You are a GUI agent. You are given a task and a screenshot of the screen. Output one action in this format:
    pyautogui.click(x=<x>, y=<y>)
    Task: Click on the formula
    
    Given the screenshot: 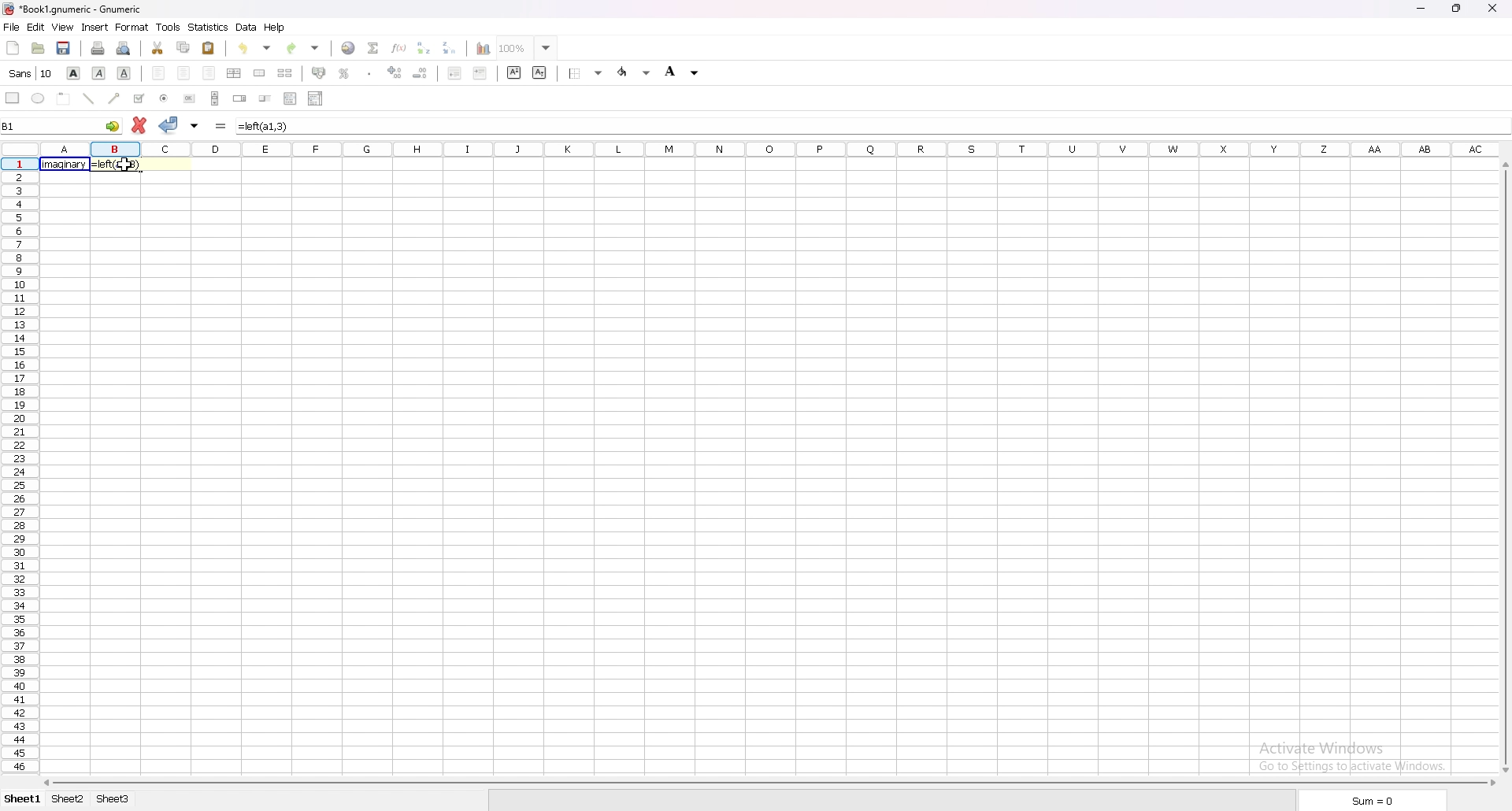 What is the action you would take?
    pyautogui.click(x=118, y=165)
    